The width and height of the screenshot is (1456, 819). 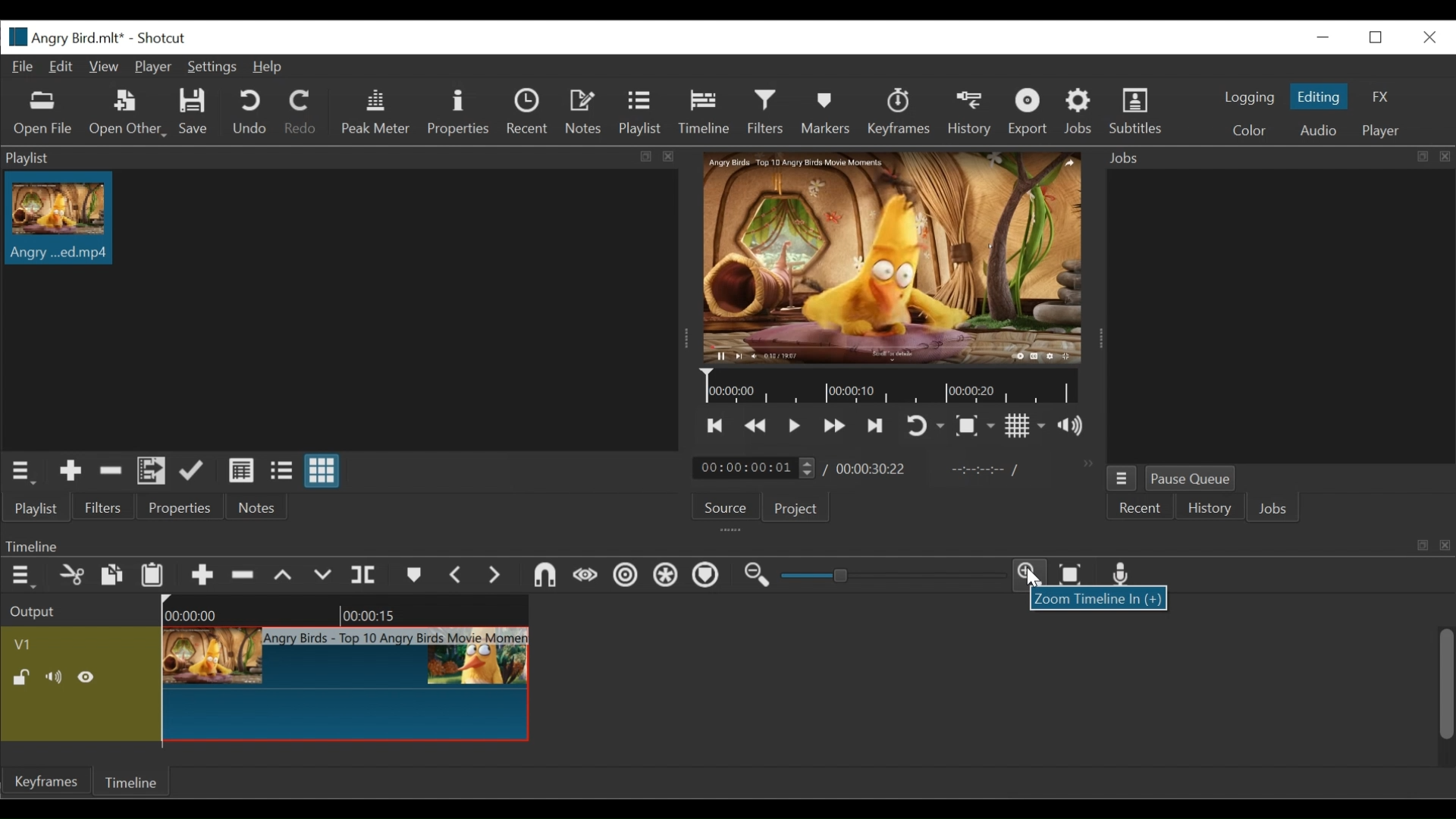 What do you see at coordinates (889, 577) in the screenshot?
I see `Zoom slider` at bounding box center [889, 577].